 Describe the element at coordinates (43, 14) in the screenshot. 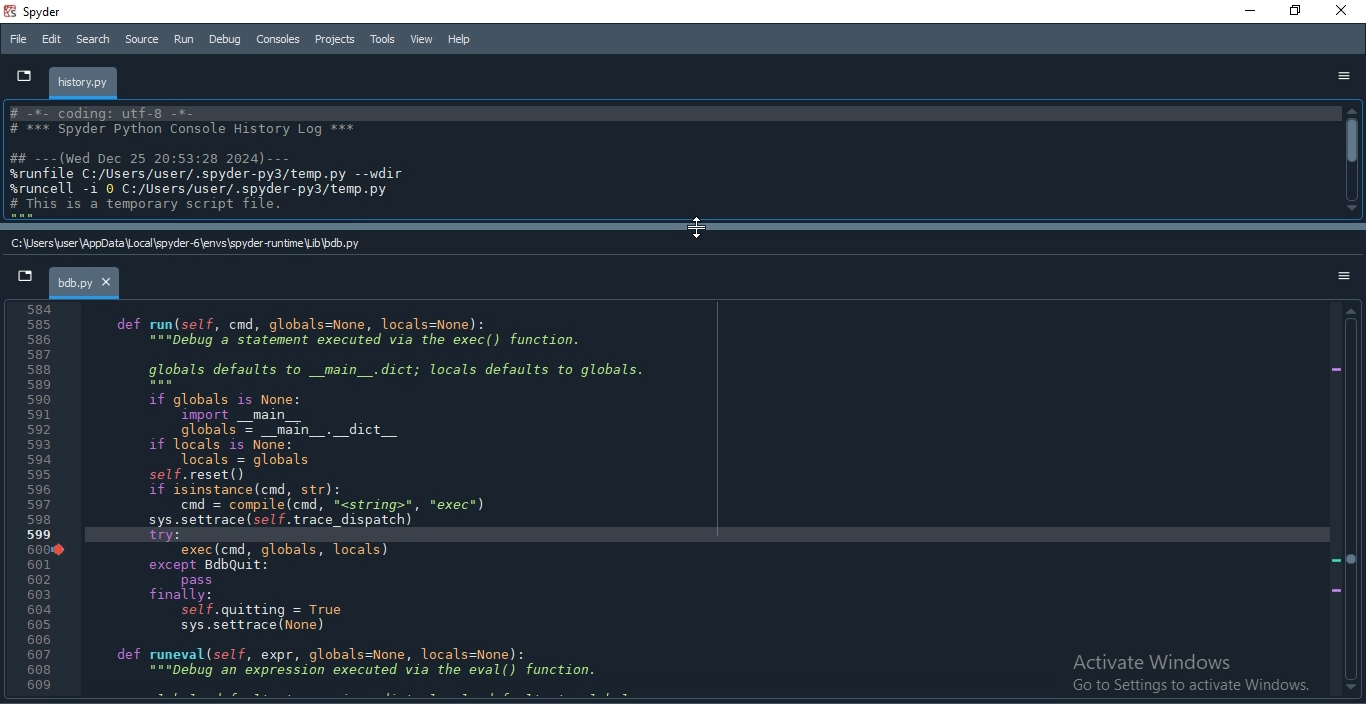

I see `spyder` at that location.